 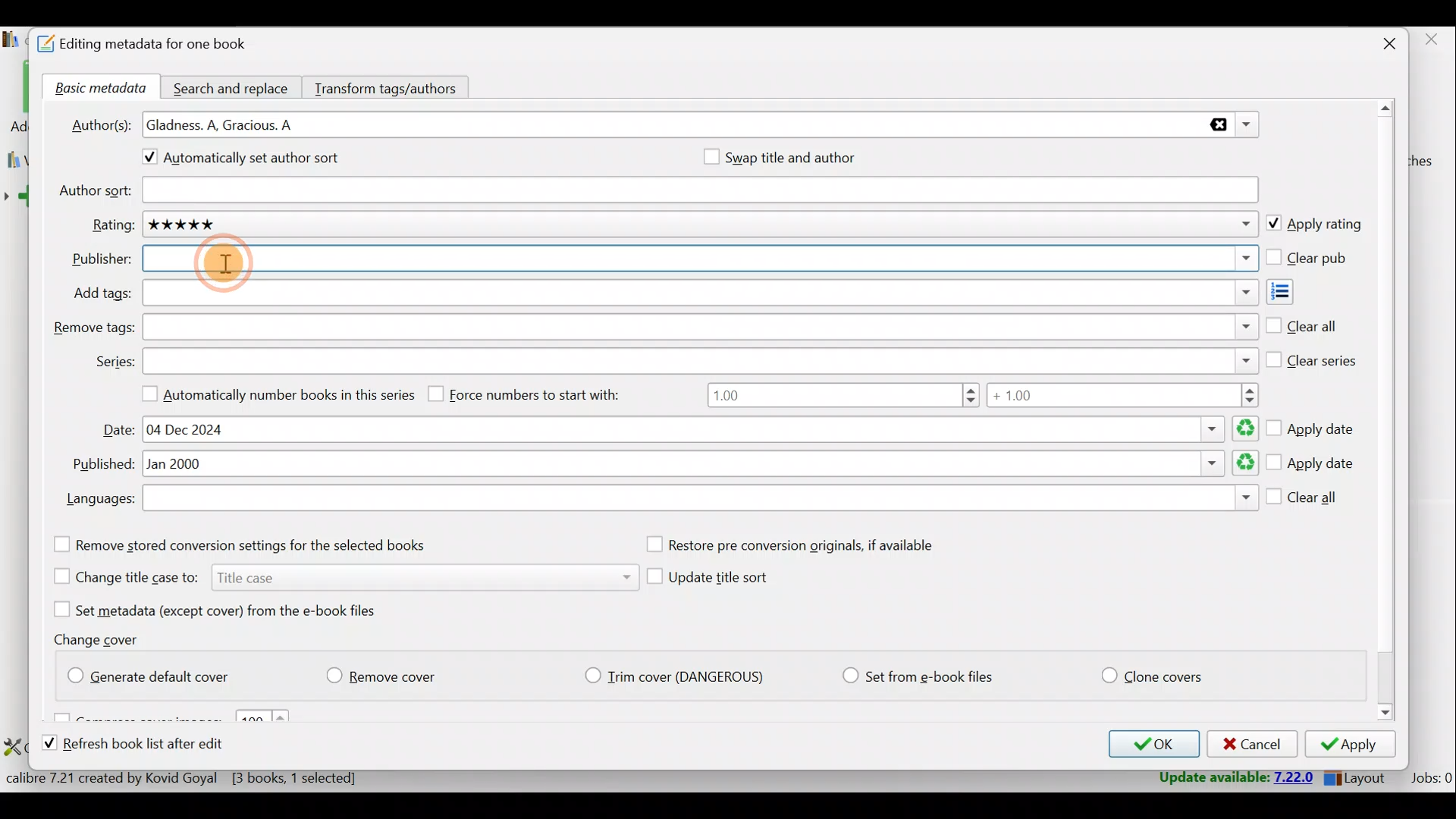 I want to click on Clear pub, so click(x=1310, y=259).